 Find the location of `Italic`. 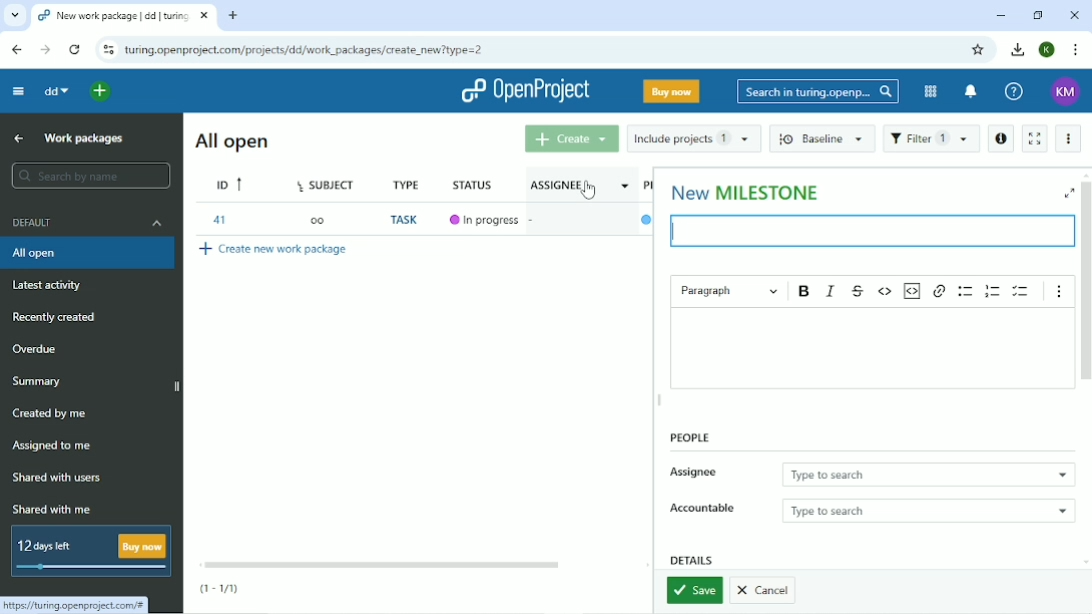

Italic is located at coordinates (831, 291).